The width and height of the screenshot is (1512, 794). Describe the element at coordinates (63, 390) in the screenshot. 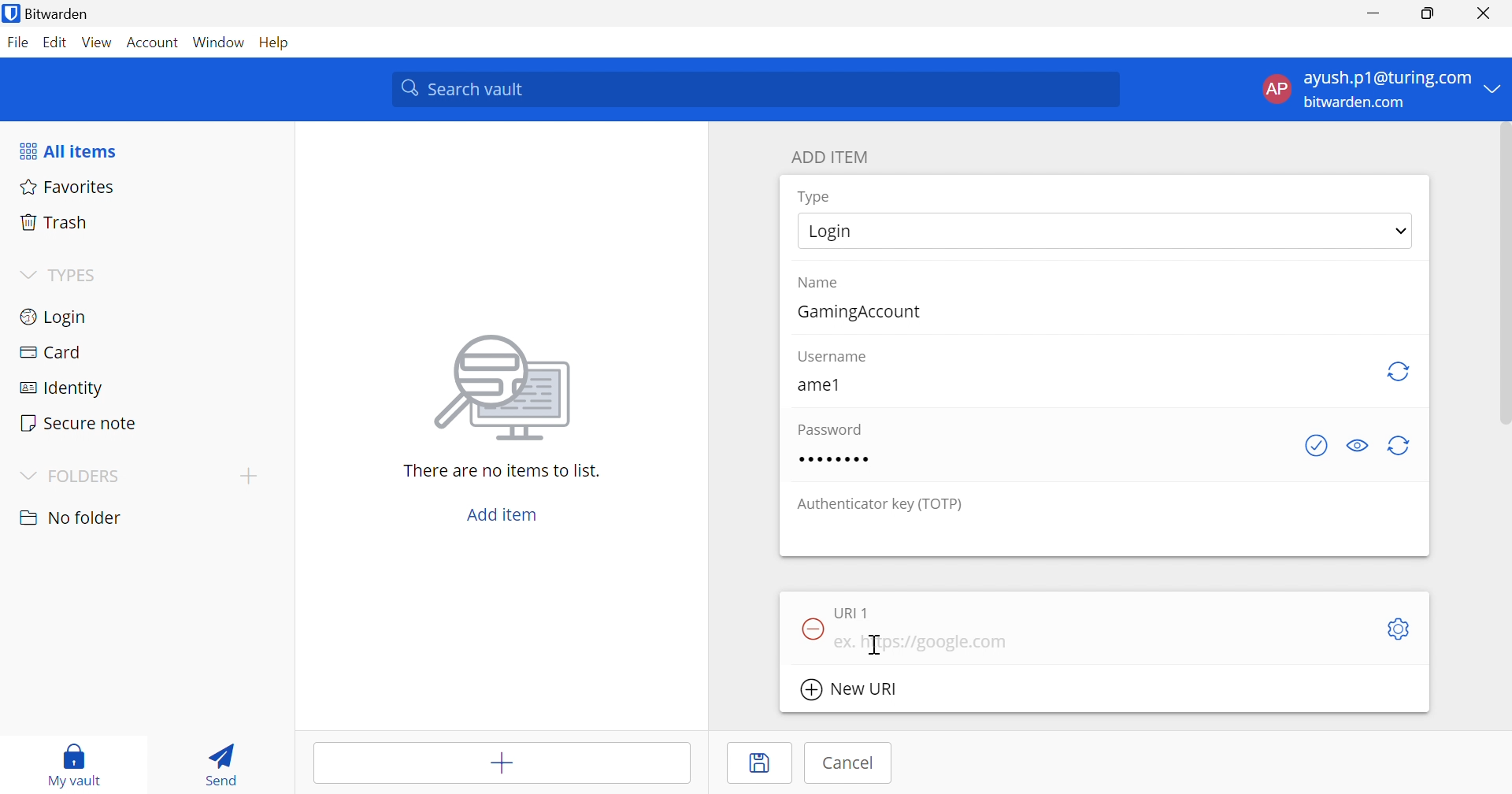

I see `Identity` at that location.